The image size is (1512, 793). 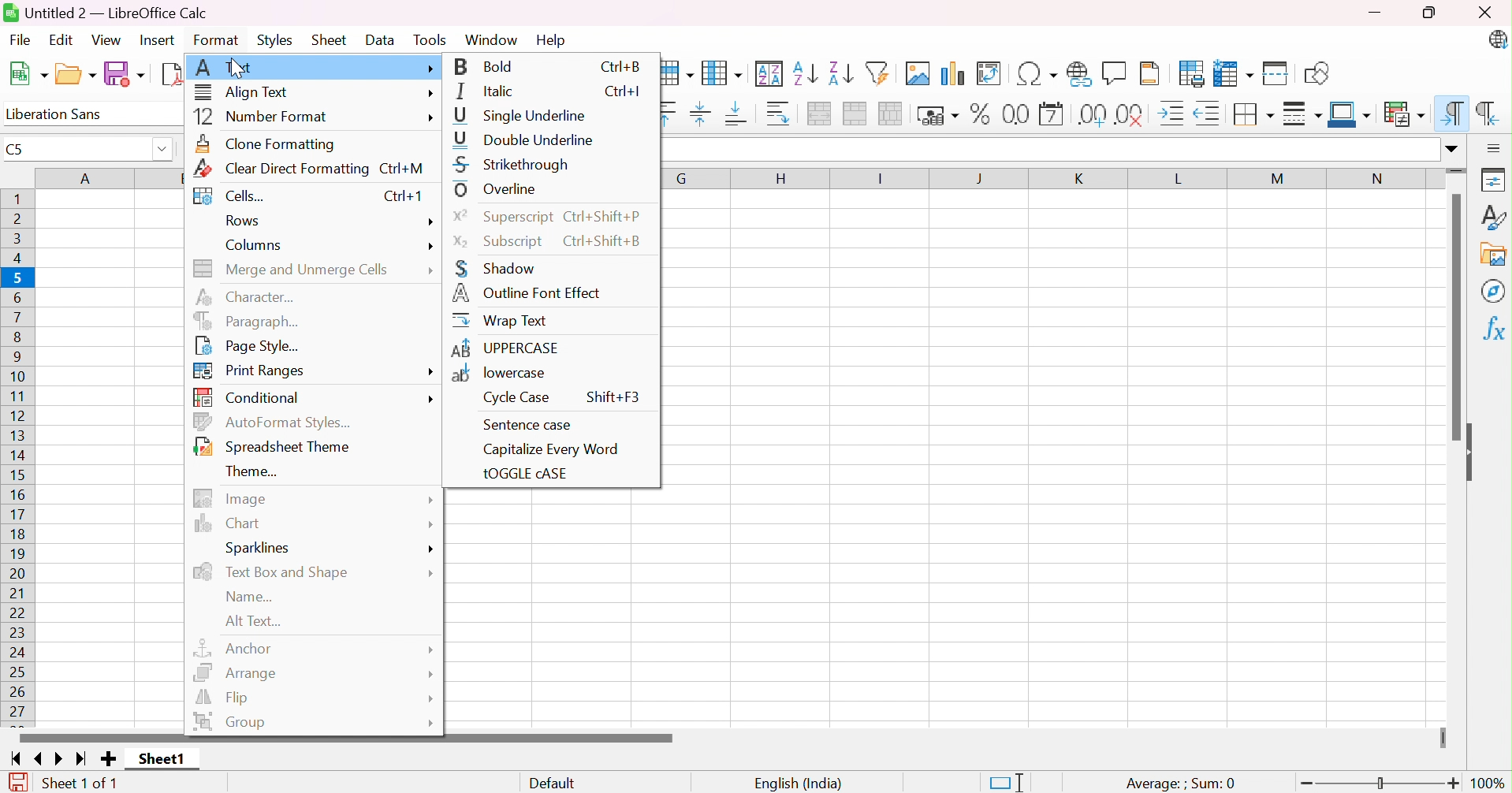 What do you see at coordinates (236, 647) in the screenshot?
I see `Anchor` at bounding box center [236, 647].